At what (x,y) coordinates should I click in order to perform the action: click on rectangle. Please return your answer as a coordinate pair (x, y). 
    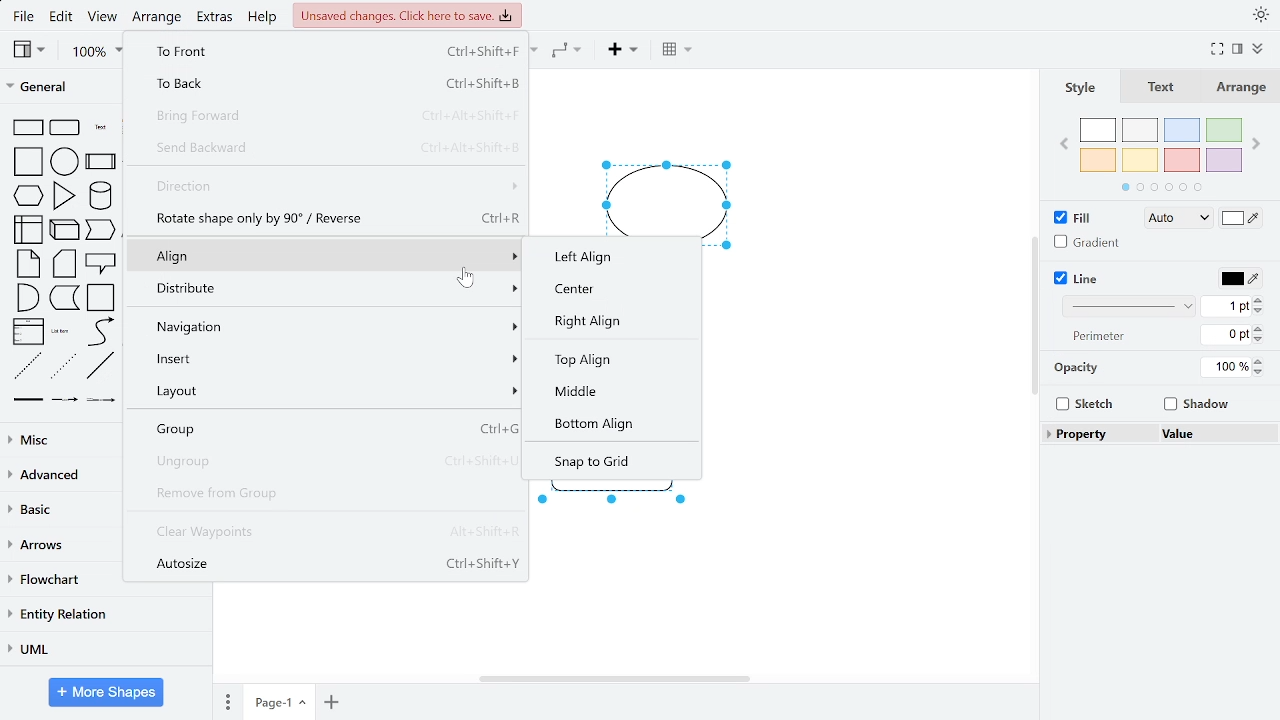
    Looking at the image, I should click on (29, 127).